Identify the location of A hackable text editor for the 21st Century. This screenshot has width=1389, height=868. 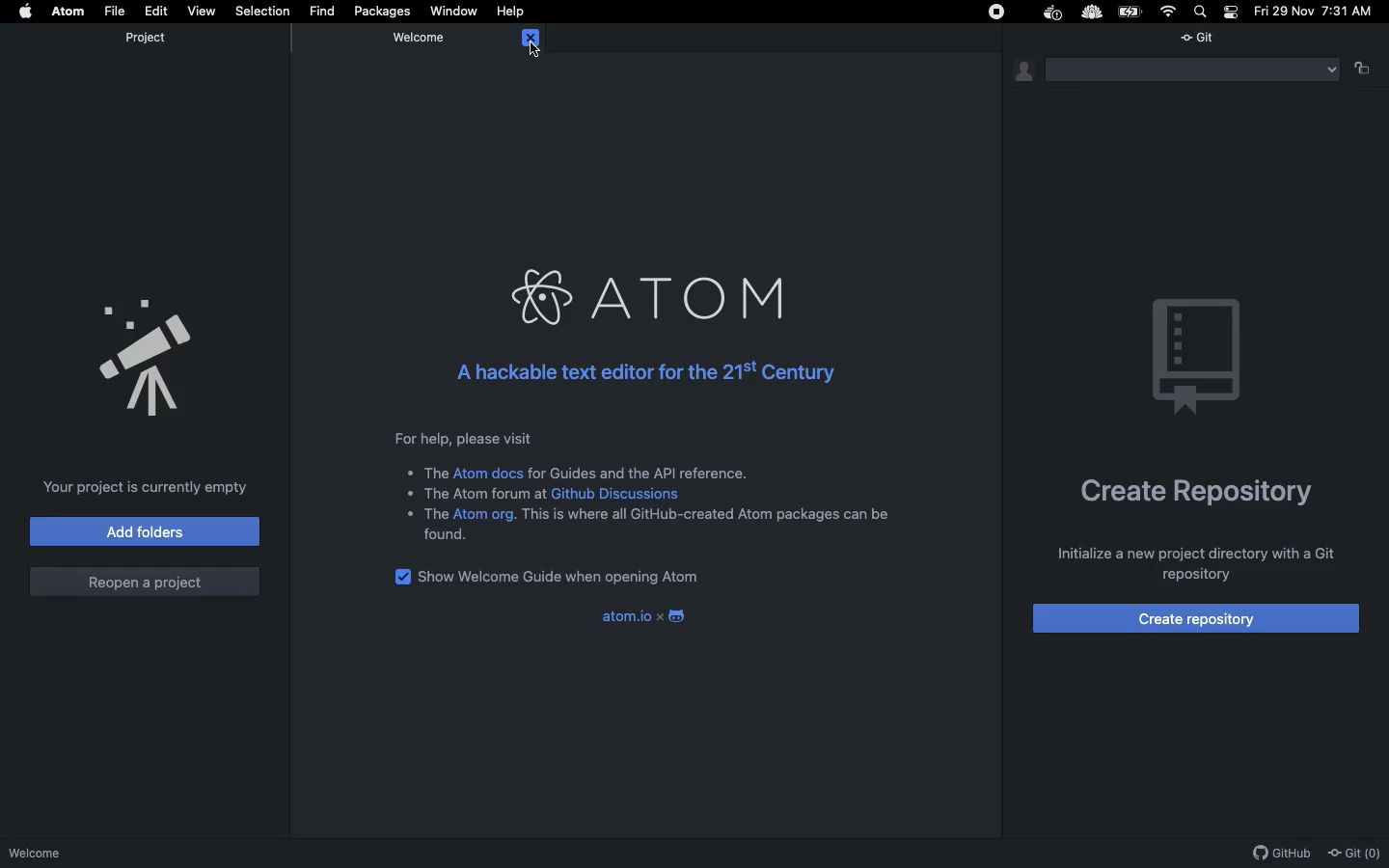
(645, 379).